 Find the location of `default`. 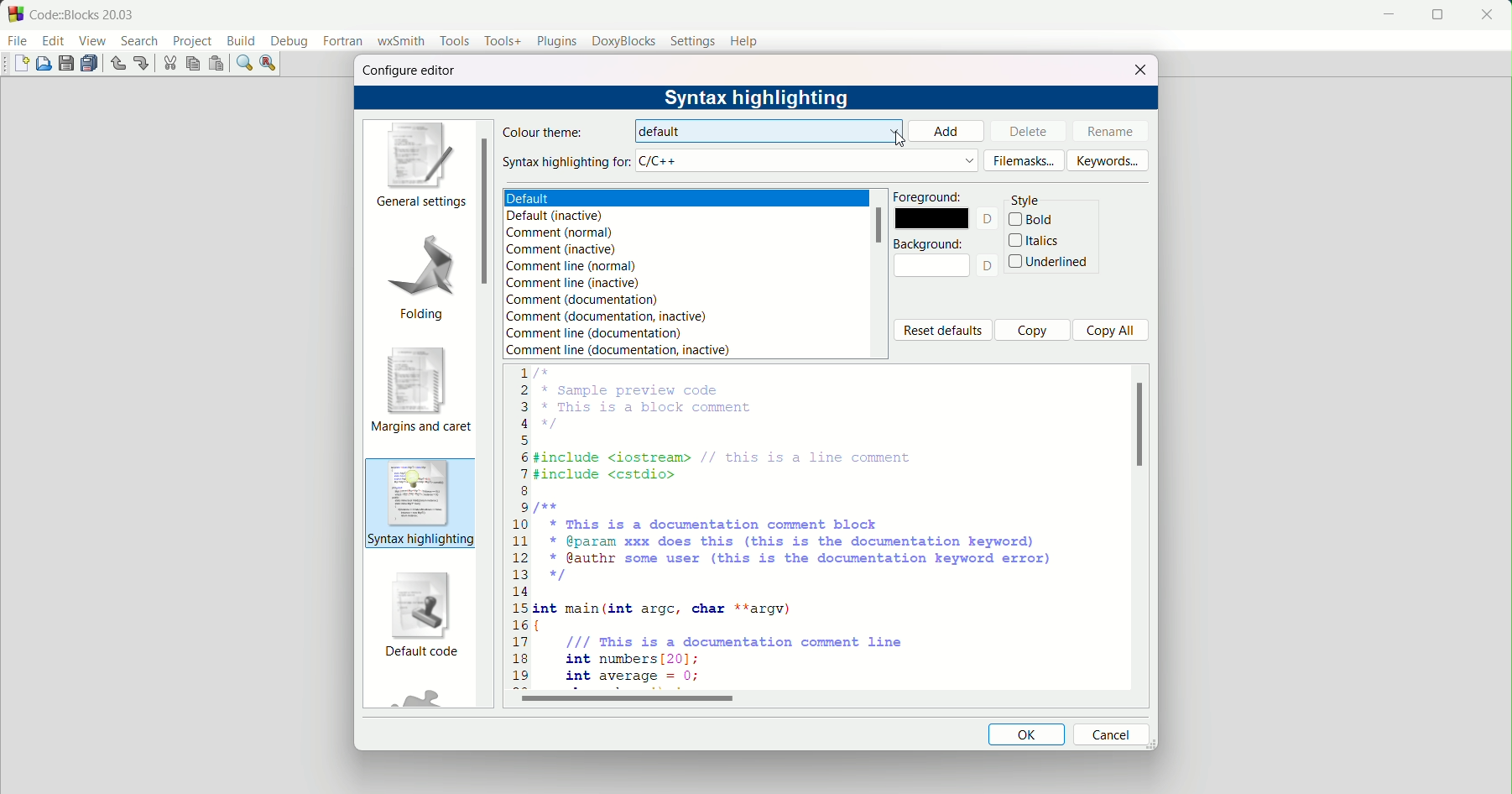

default is located at coordinates (774, 130).